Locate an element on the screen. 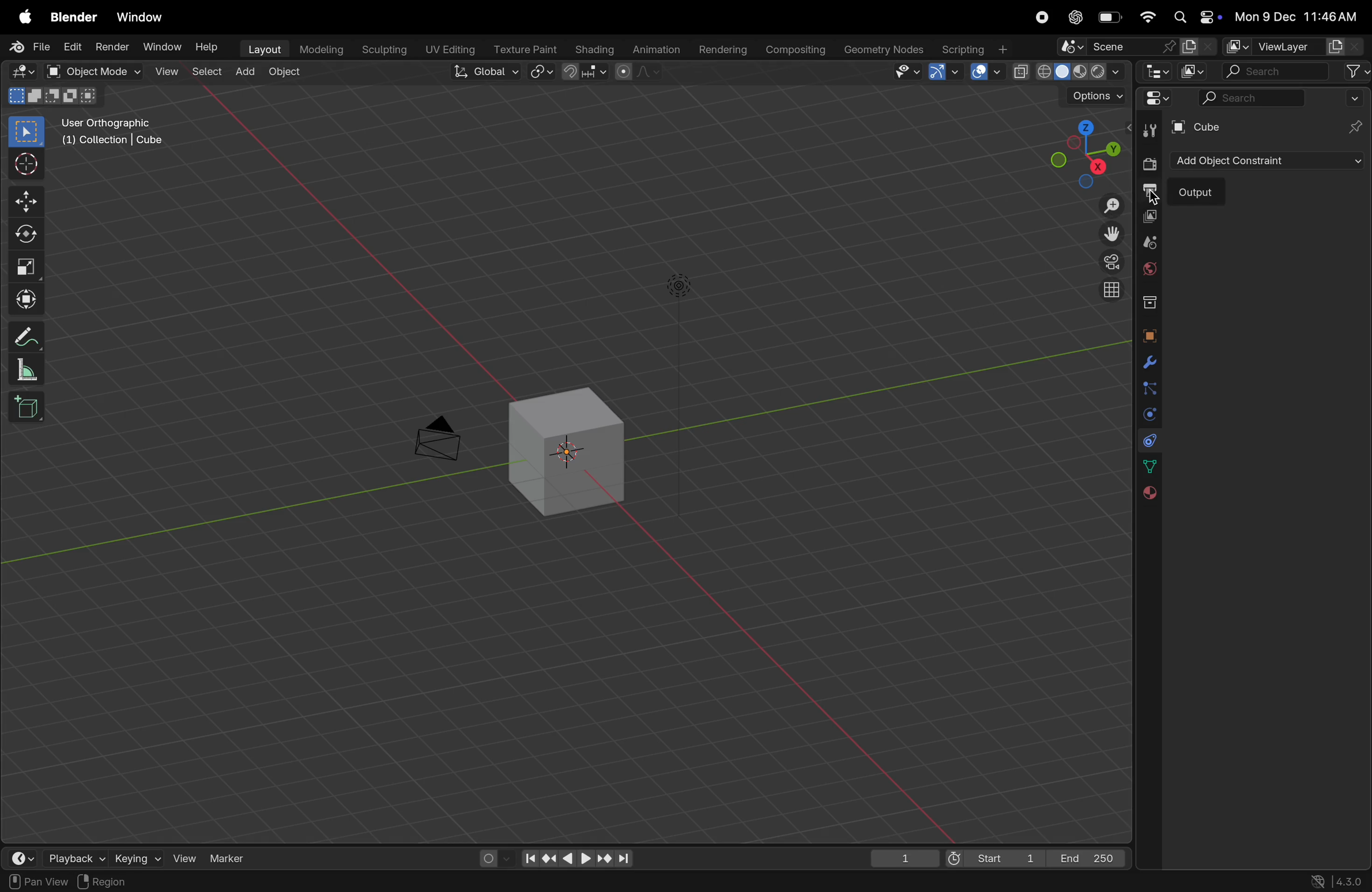  object mode is located at coordinates (93, 72).